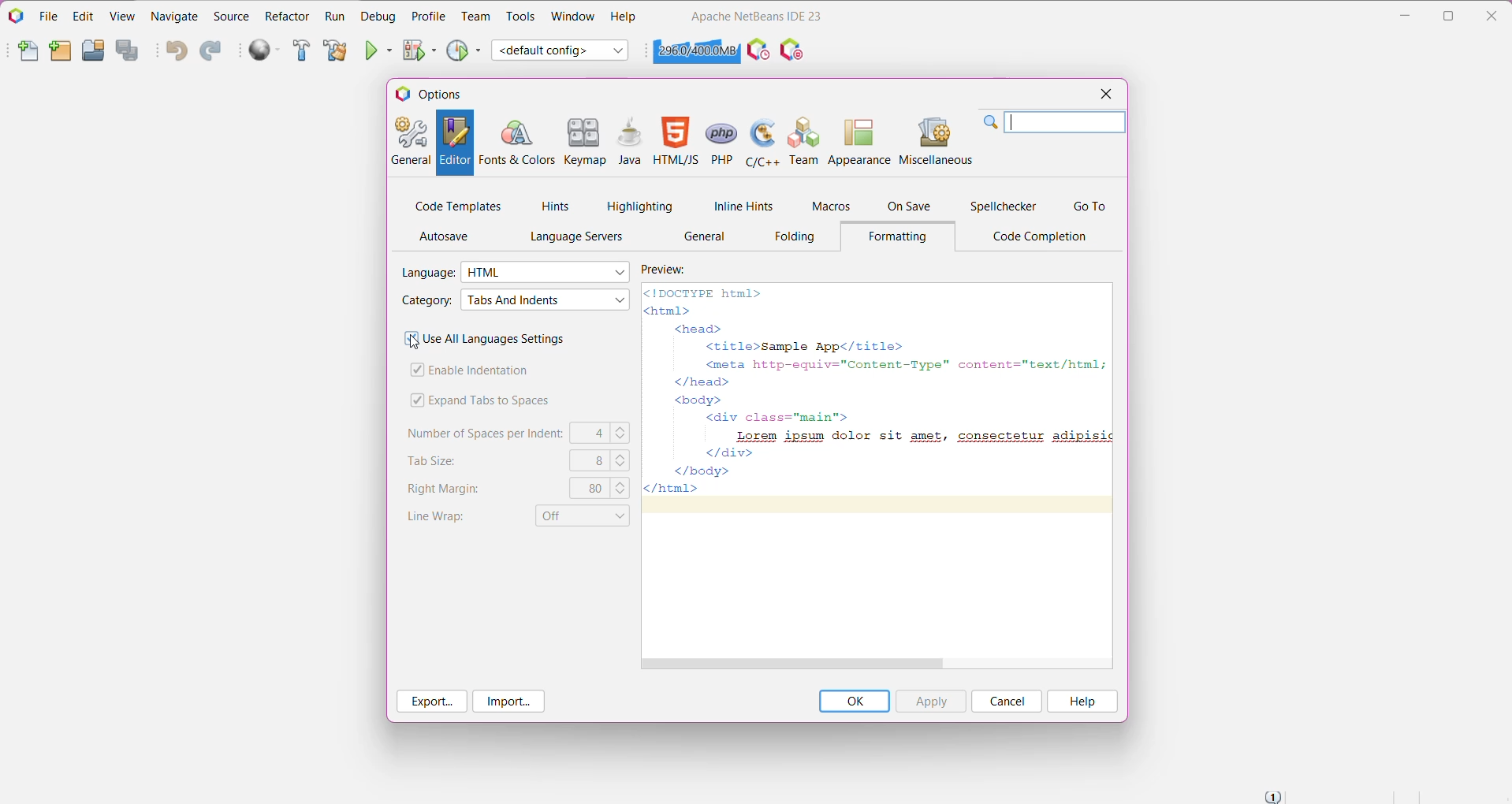 The image size is (1512, 804). What do you see at coordinates (334, 51) in the screenshot?
I see `Clean and Build Project` at bounding box center [334, 51].